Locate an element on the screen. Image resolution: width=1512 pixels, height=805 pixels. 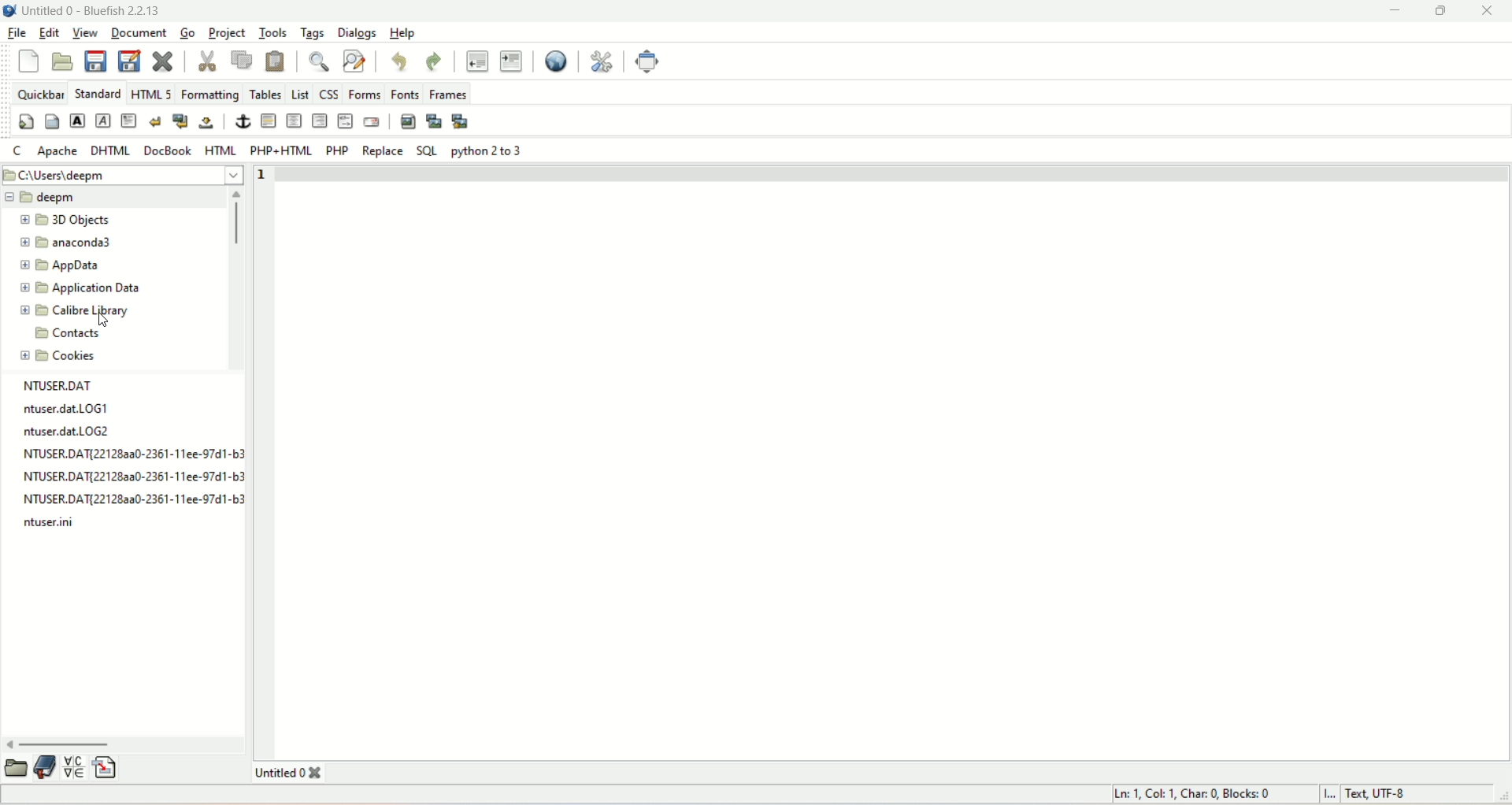
I is located at coordinates (1334, 796).